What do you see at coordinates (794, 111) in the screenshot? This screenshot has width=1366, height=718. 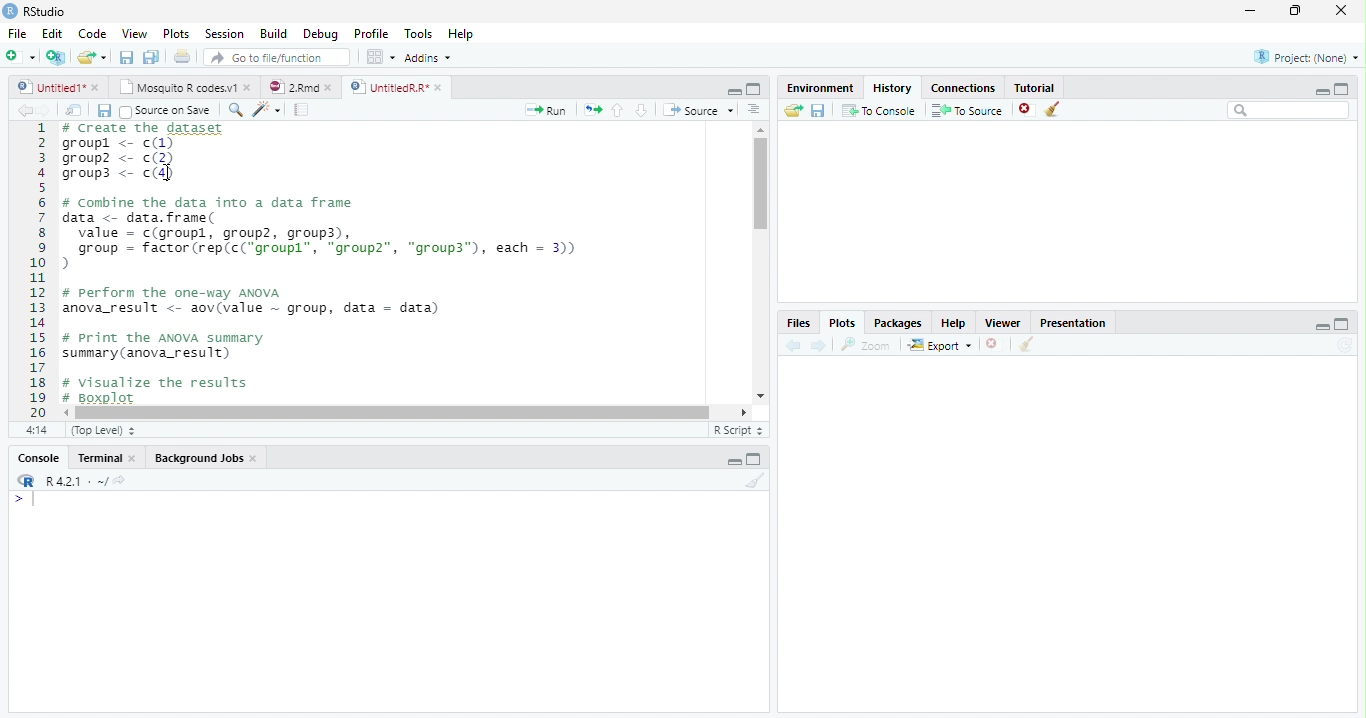 I see `Load Workspace` at bounding box center [794, 111].